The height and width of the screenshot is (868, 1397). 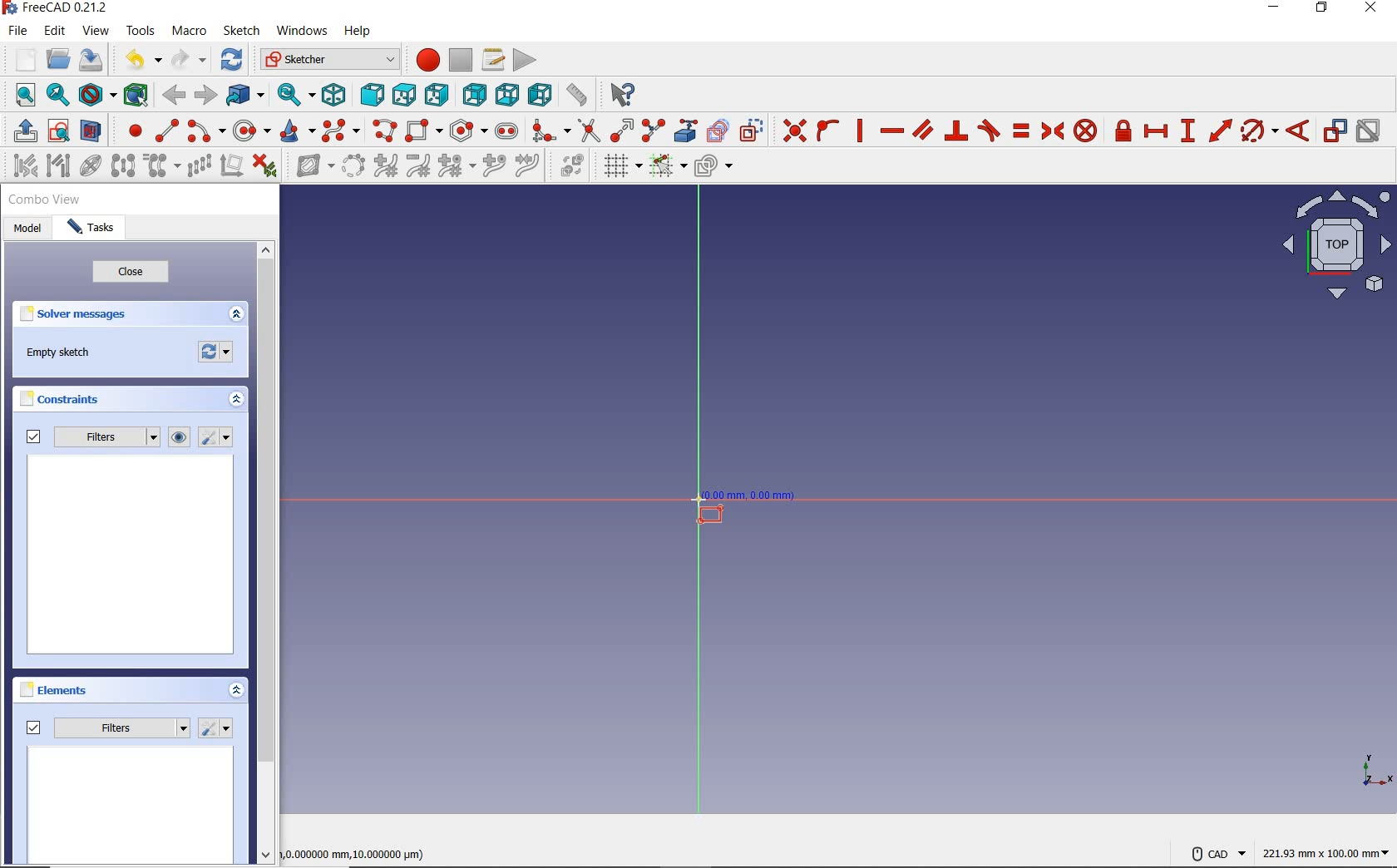 I want to click on expand, so click(x=238, y=692).